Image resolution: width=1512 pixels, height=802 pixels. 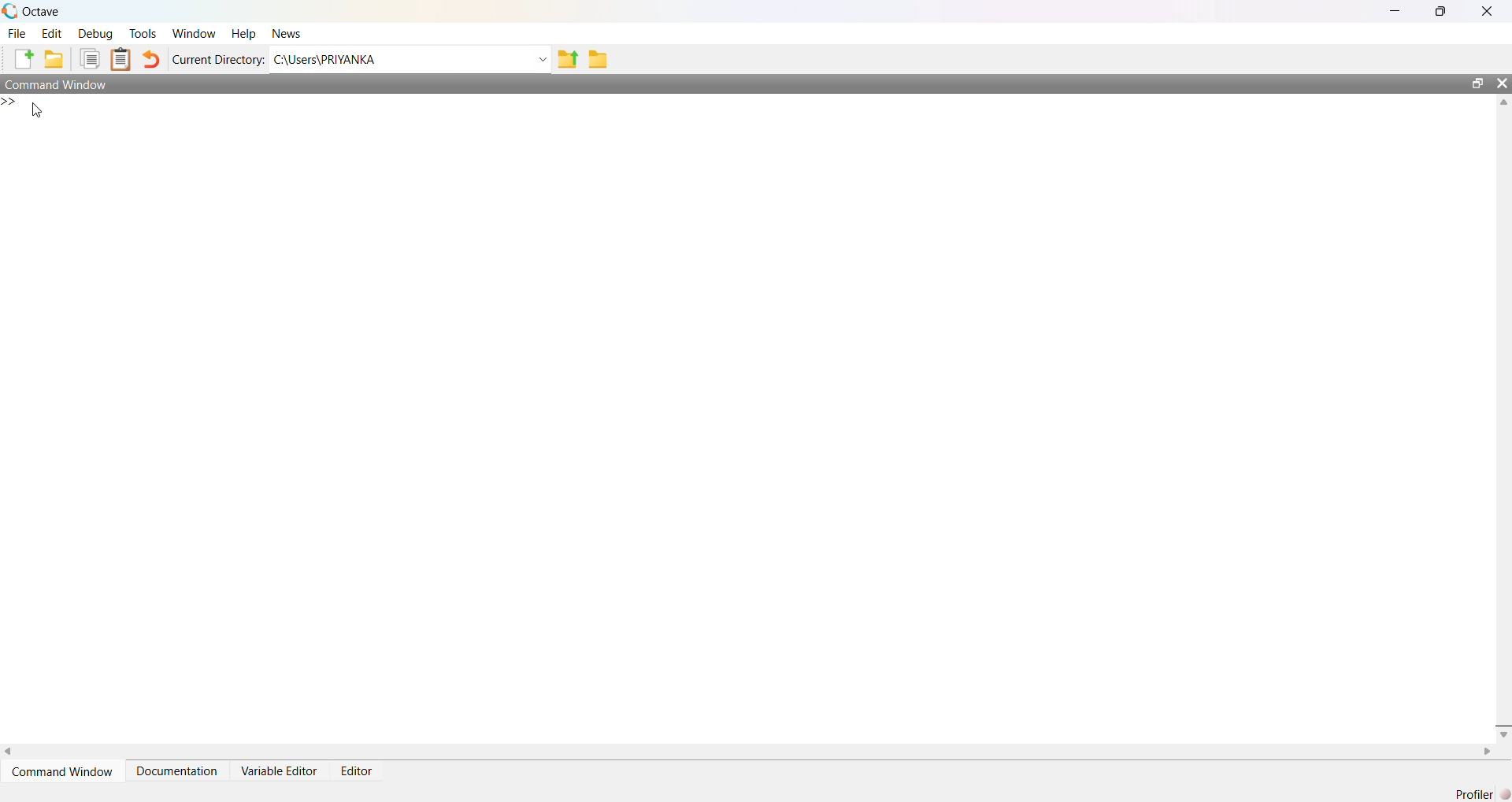 I want to click on Drop-down , so click(x=543, y=60).